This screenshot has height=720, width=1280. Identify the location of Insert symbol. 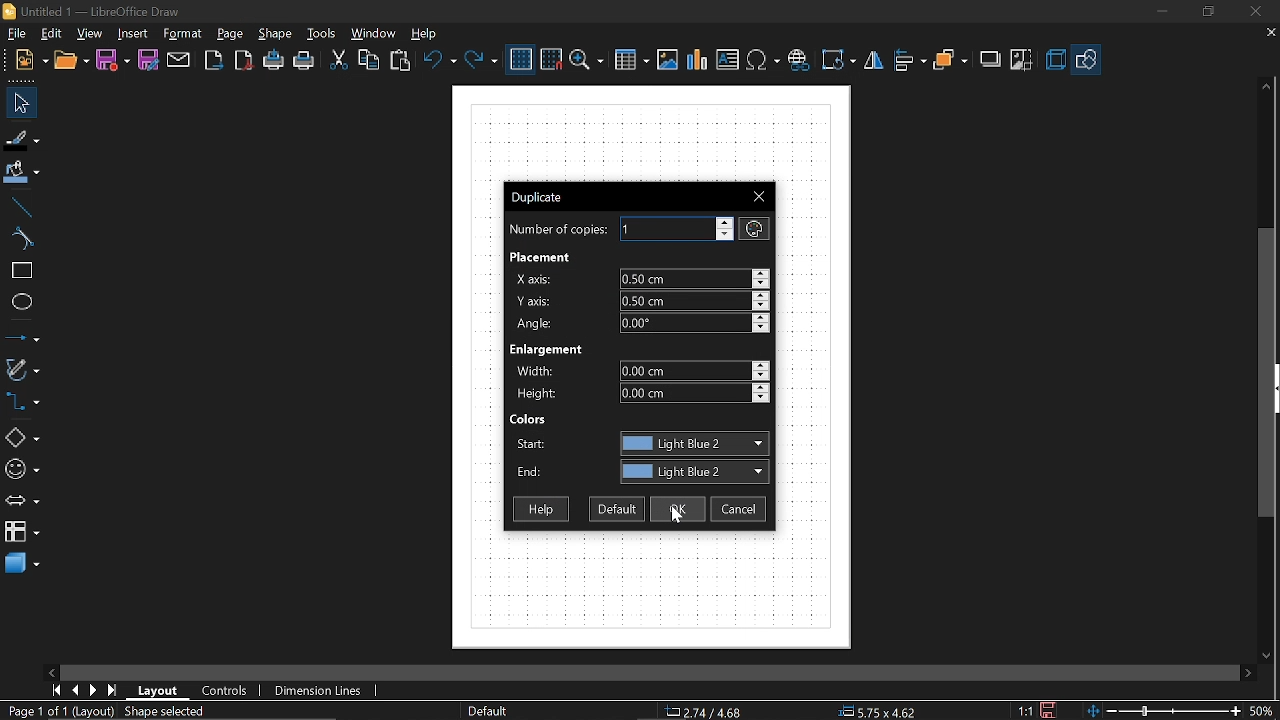
(798, 60).